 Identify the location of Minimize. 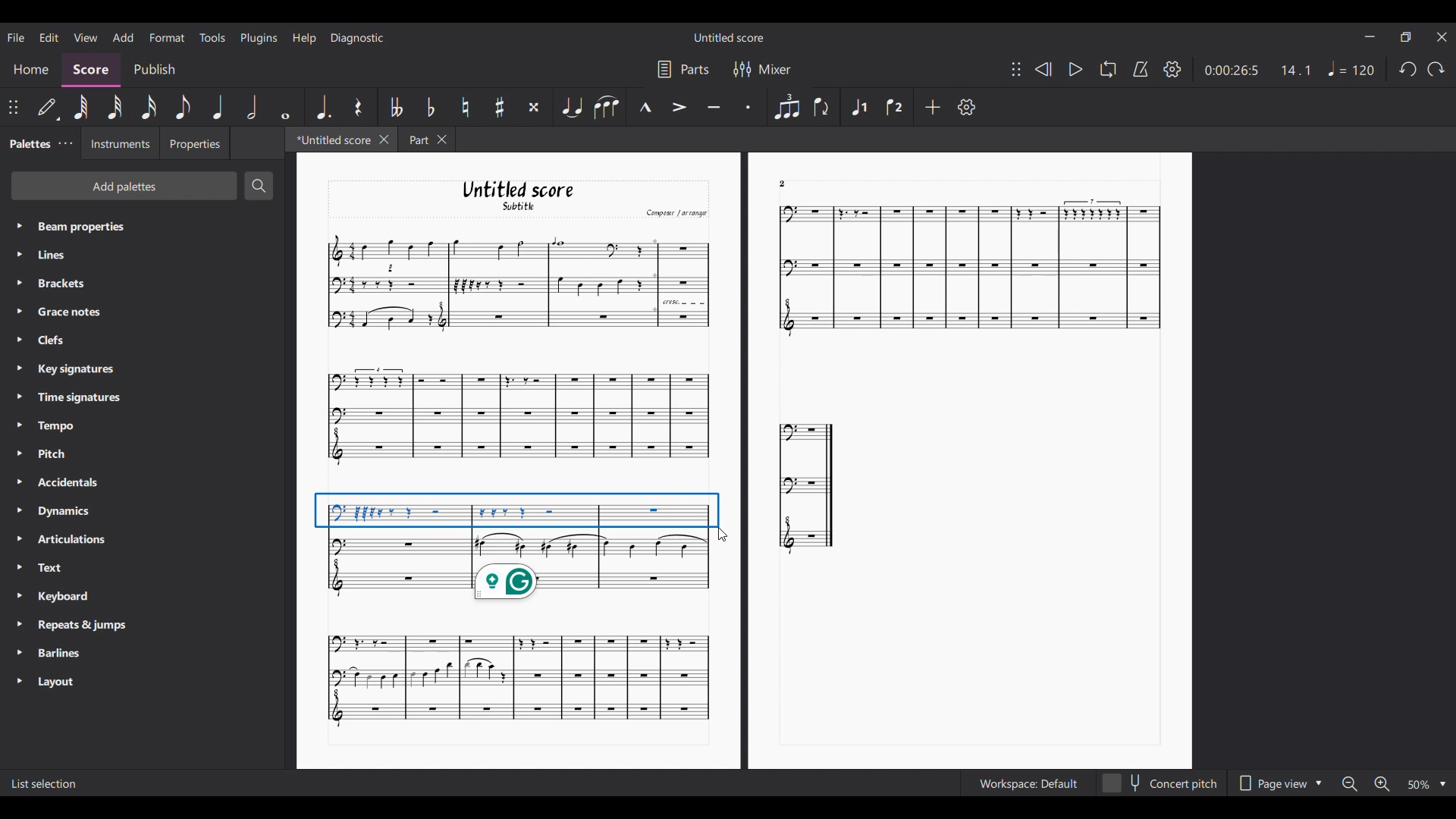
(1370, 36).